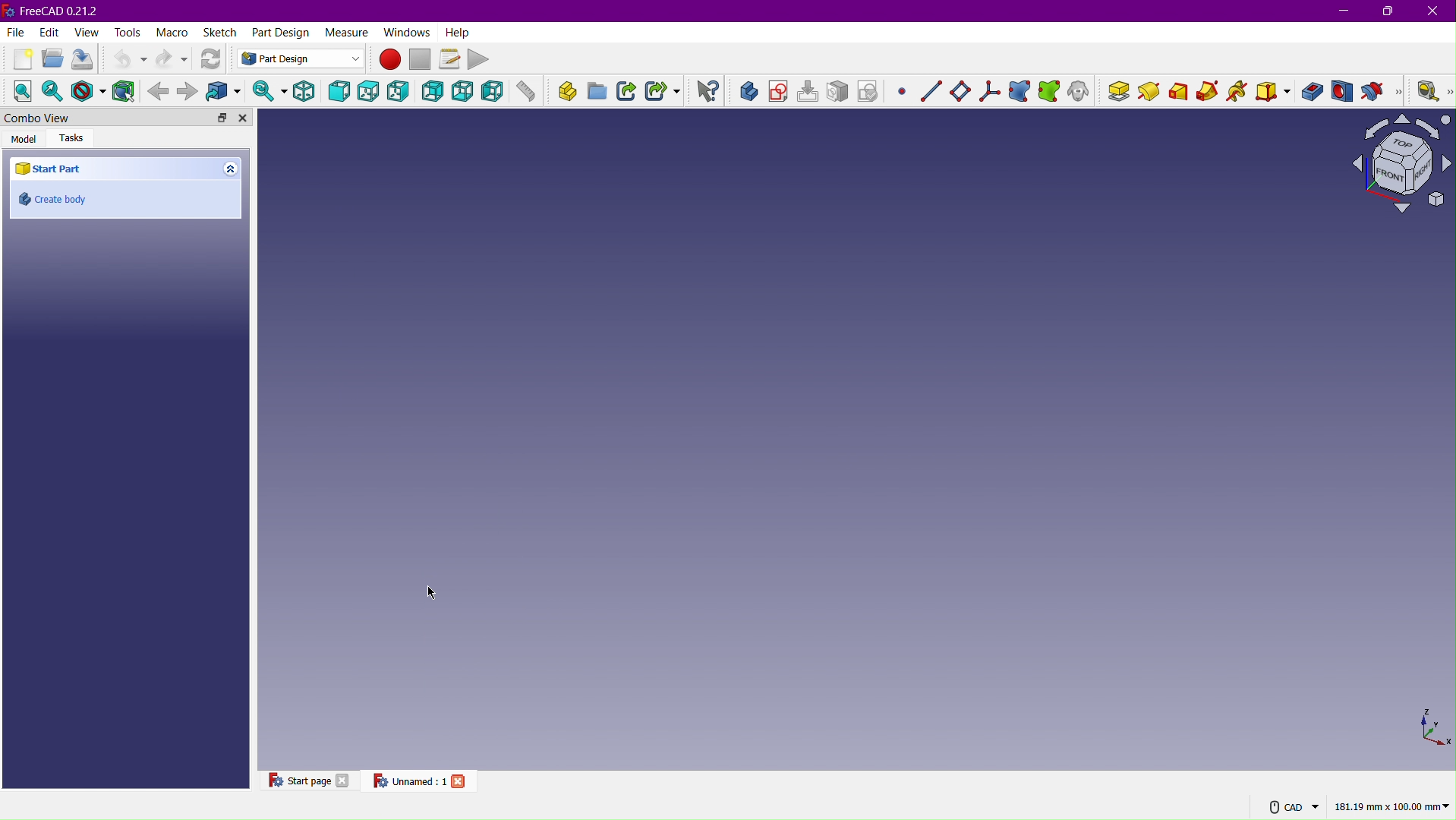 The height and width of the screenshot is (820, 1456). Describe the element at coordinates (131, 32) in the screenshot. I see `Tools` at that location.